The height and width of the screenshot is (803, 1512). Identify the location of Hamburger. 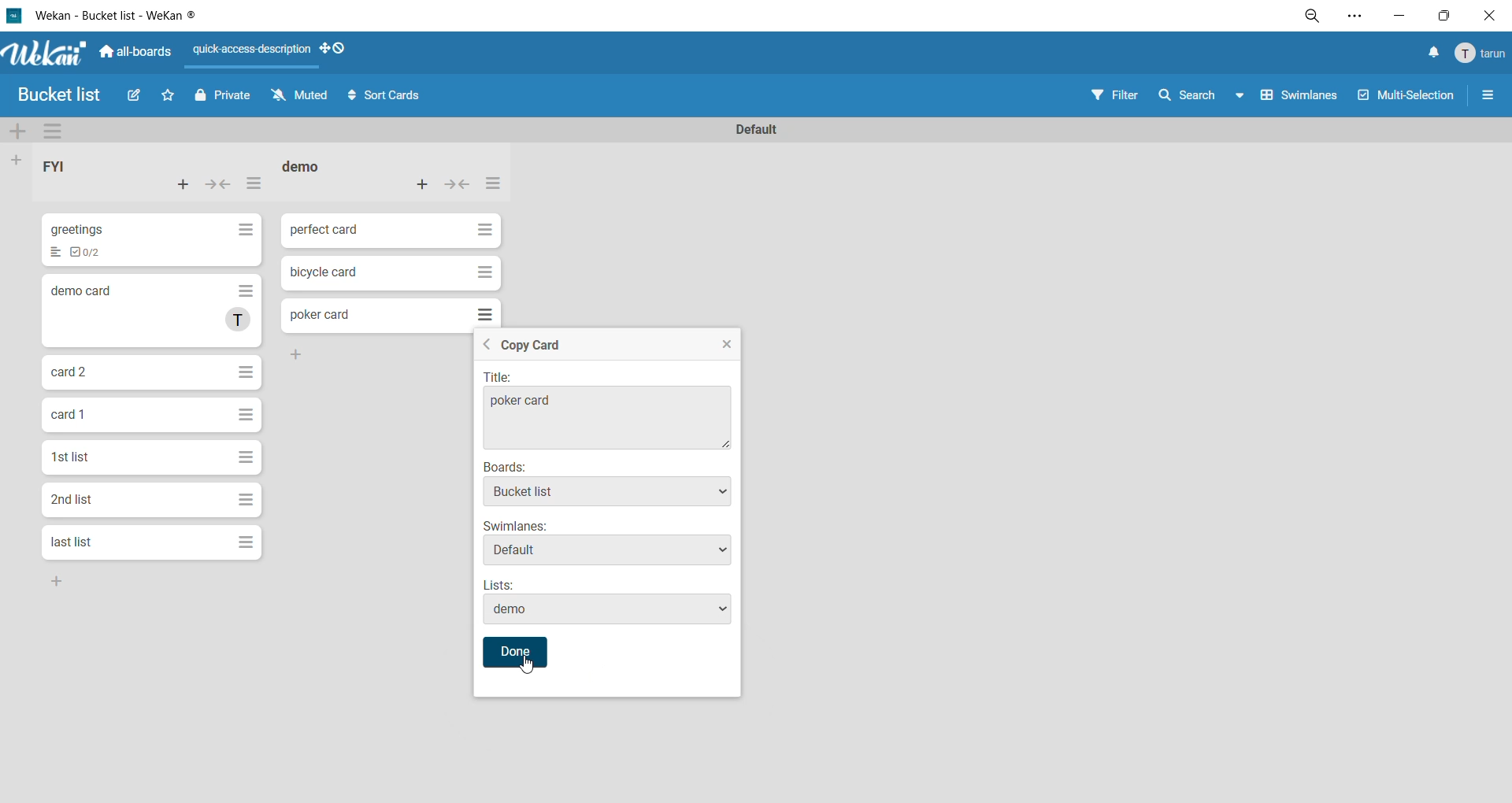
(485, 313).